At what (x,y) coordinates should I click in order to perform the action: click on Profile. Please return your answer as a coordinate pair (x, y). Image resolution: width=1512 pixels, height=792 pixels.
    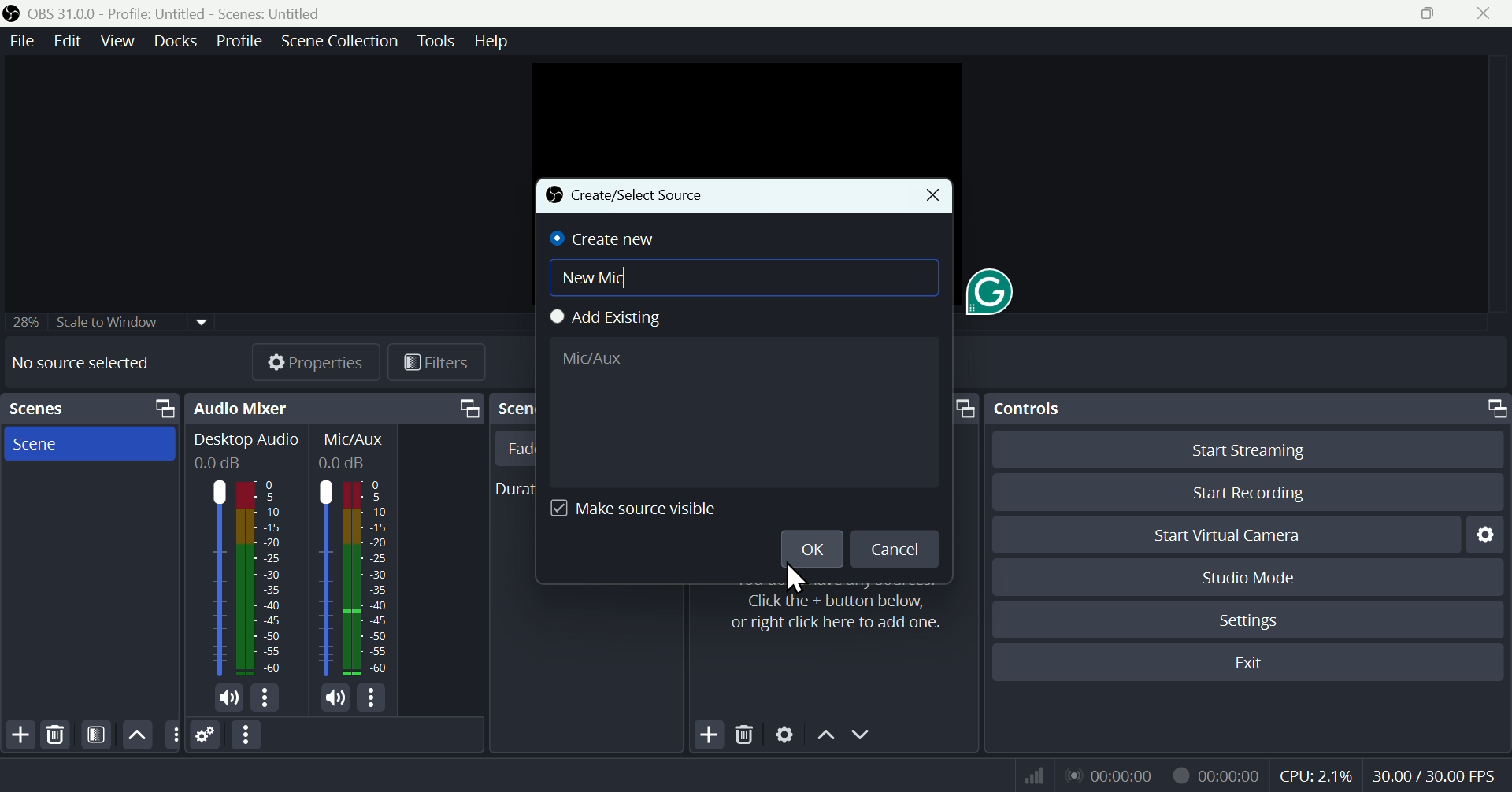
    Looking at the image, I should click on (239, 41).